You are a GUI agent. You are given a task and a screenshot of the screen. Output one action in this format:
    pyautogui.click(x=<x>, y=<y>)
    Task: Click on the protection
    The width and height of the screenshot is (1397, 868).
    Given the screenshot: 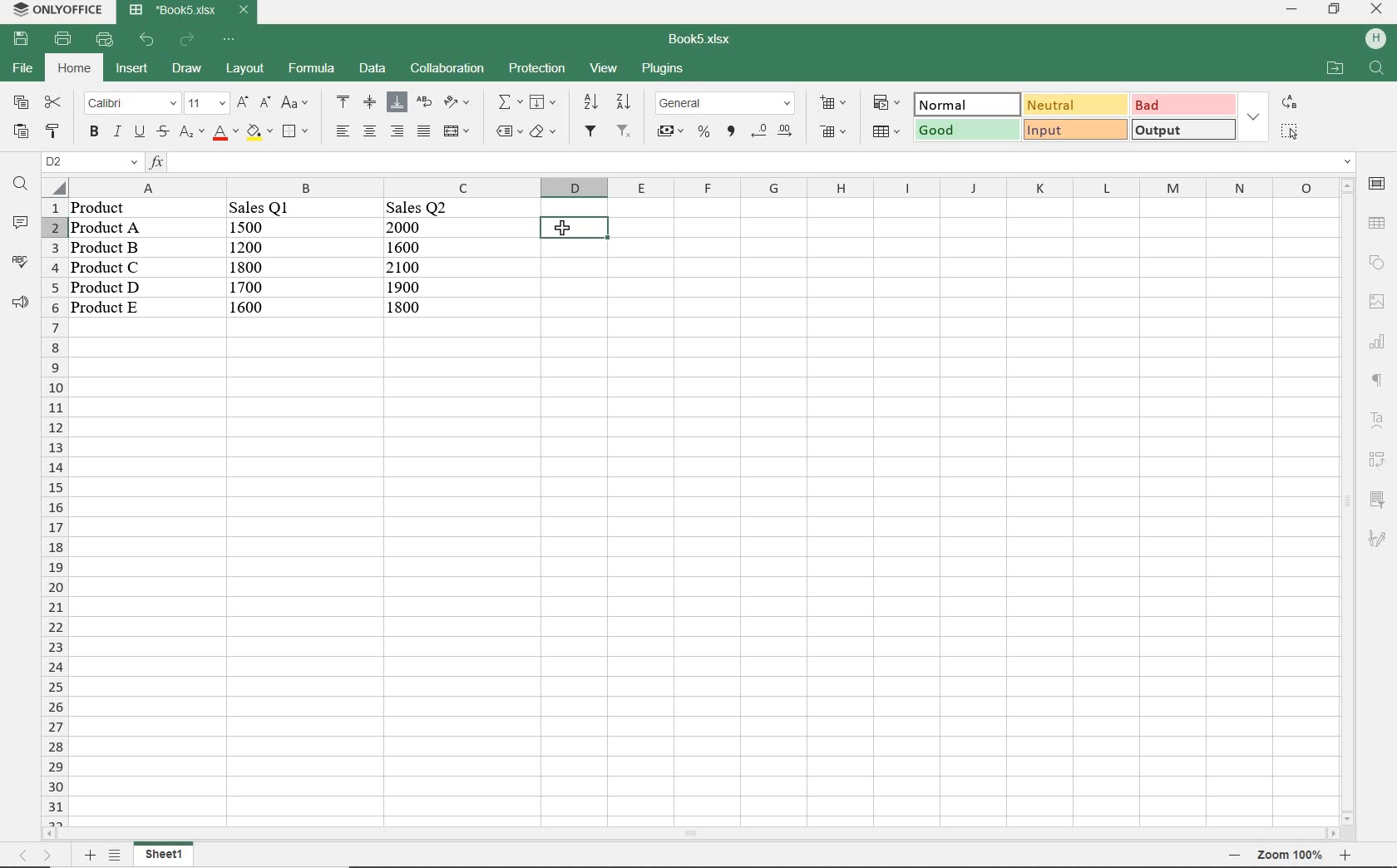 What is the action you would take?
    pyautogui.click(x=539, y=68)
    